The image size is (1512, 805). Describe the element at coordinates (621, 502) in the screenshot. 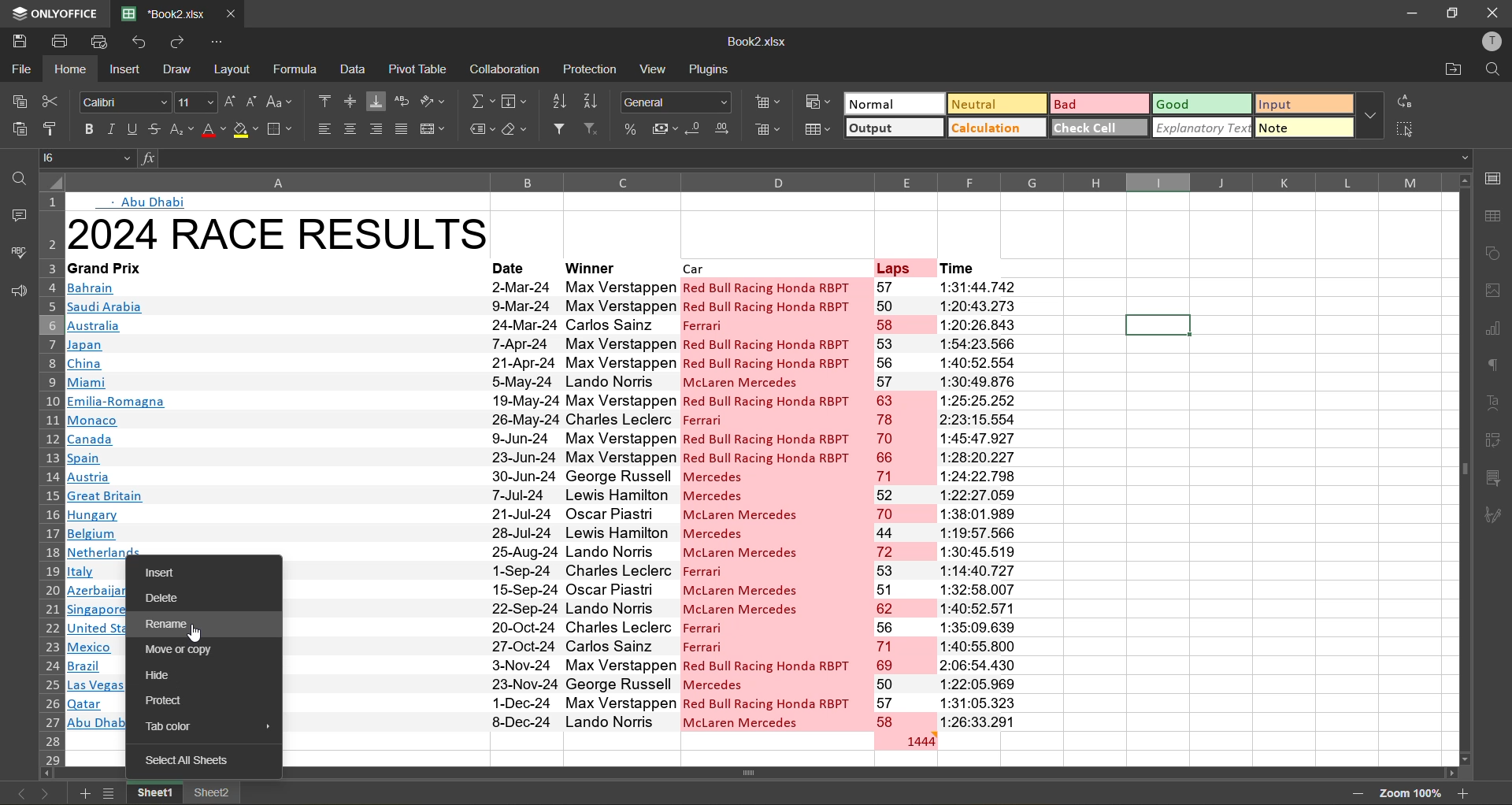

I see `winner name` at that location.